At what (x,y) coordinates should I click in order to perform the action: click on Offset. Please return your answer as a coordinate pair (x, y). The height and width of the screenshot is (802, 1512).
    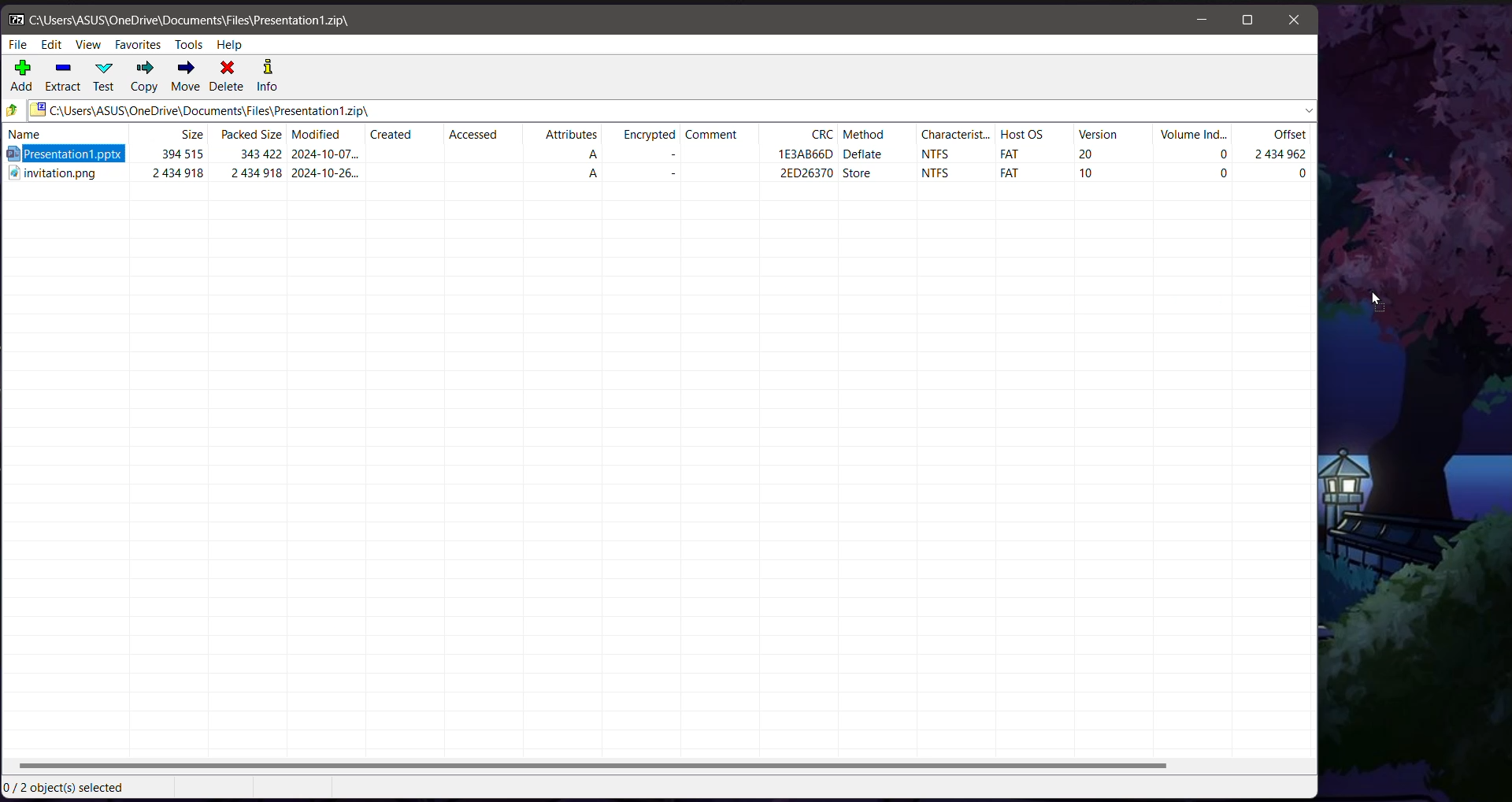
    Looking at the image, I should click on (1288, 136).